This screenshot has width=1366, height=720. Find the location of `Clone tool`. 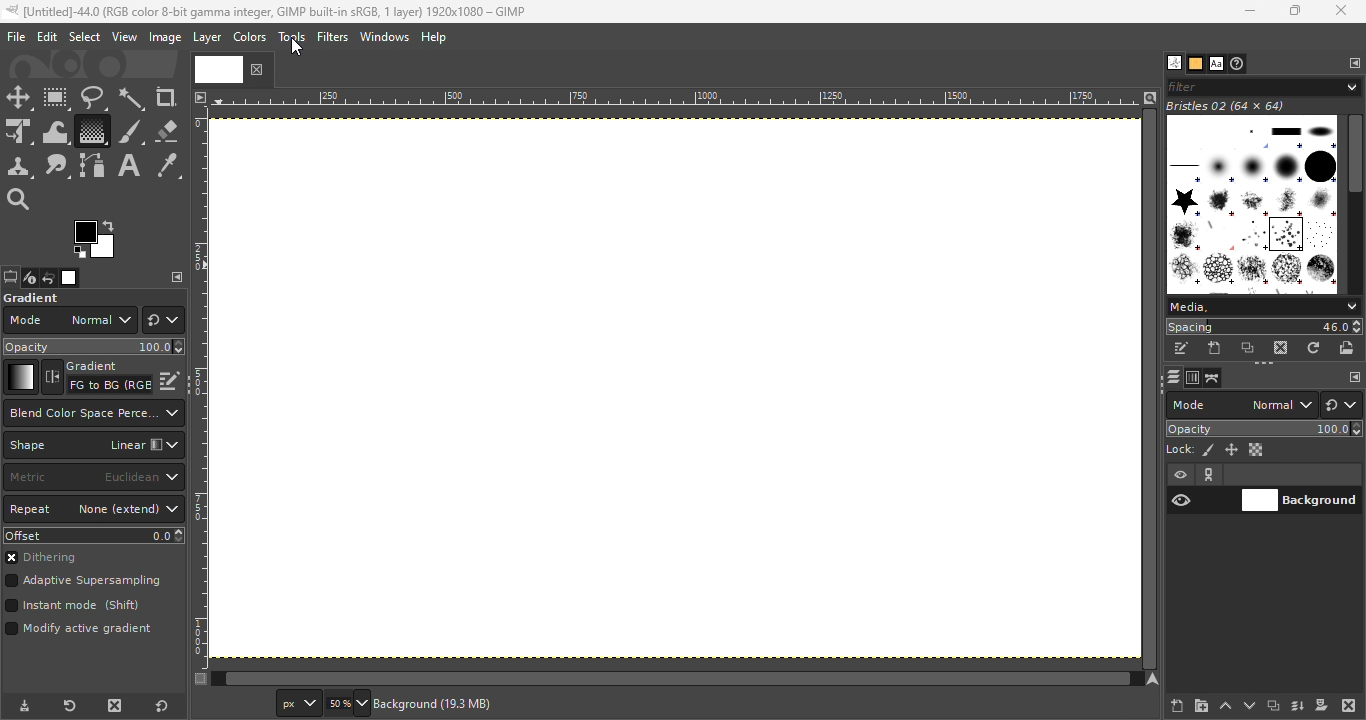

Clone tool is located at coordinates (19, 167).